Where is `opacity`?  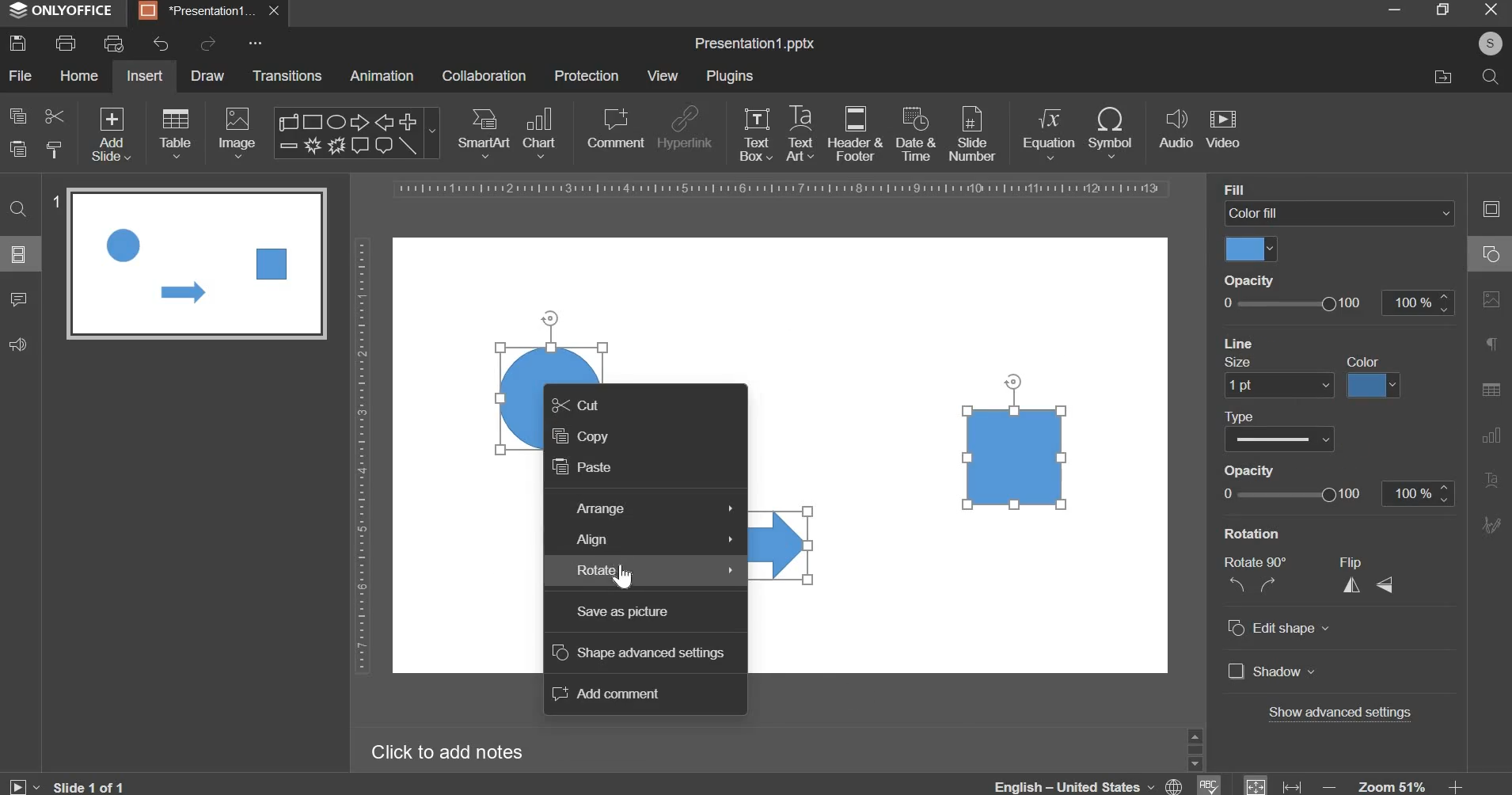
opacity is located at coordinates (1335, 302).